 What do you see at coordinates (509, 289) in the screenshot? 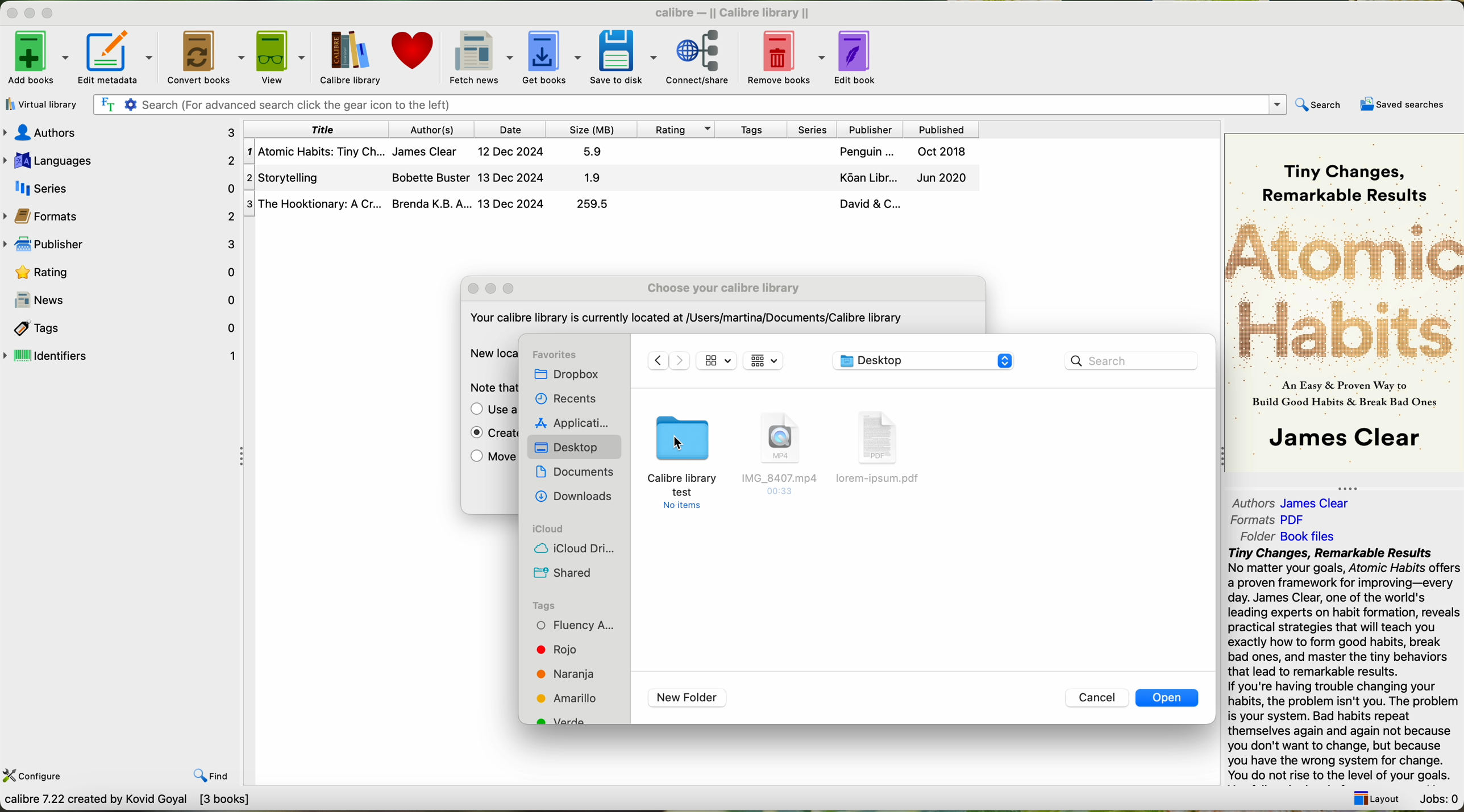
I see `maximize` at bounding box center [509, 289].